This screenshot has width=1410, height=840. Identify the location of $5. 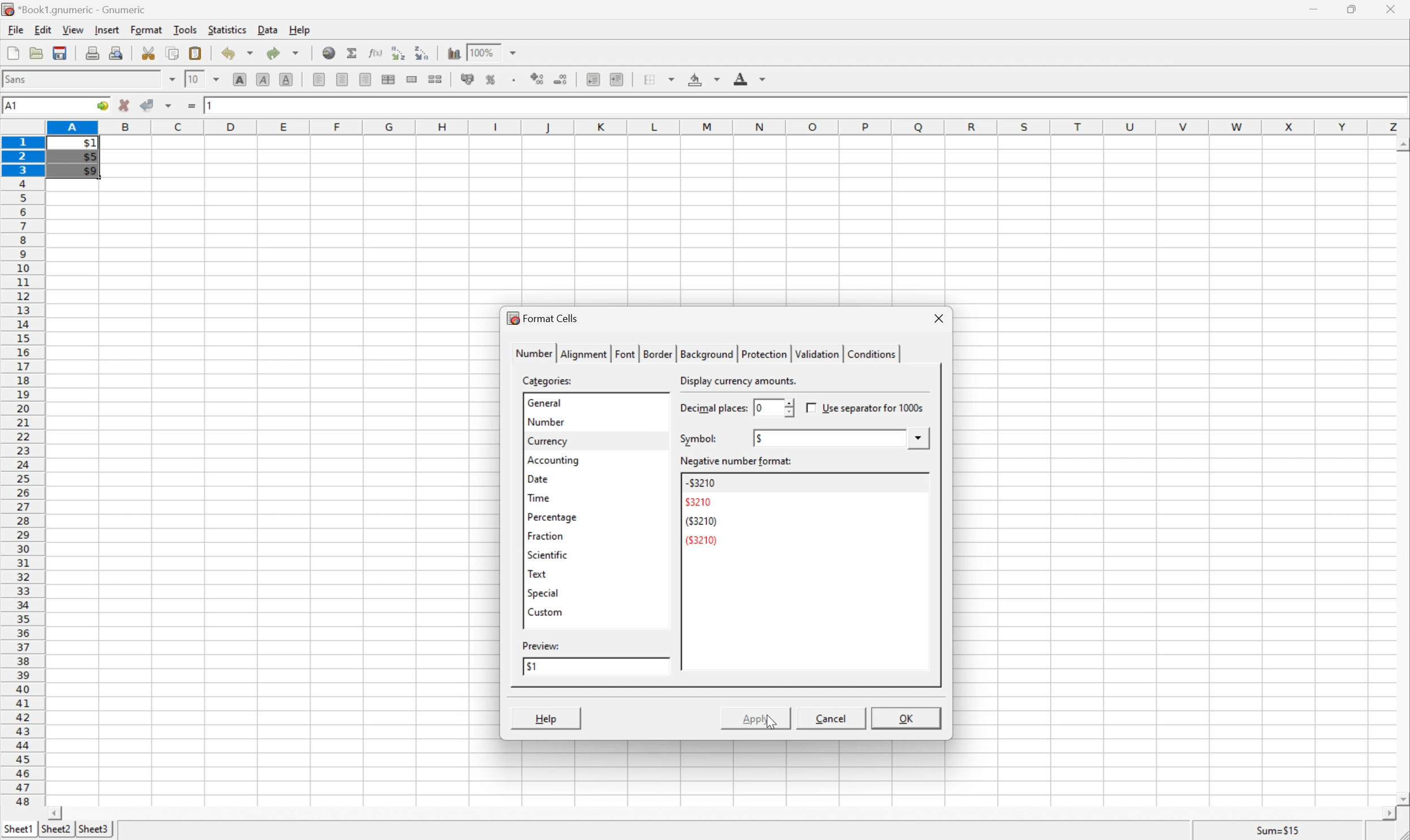
(87, 158).